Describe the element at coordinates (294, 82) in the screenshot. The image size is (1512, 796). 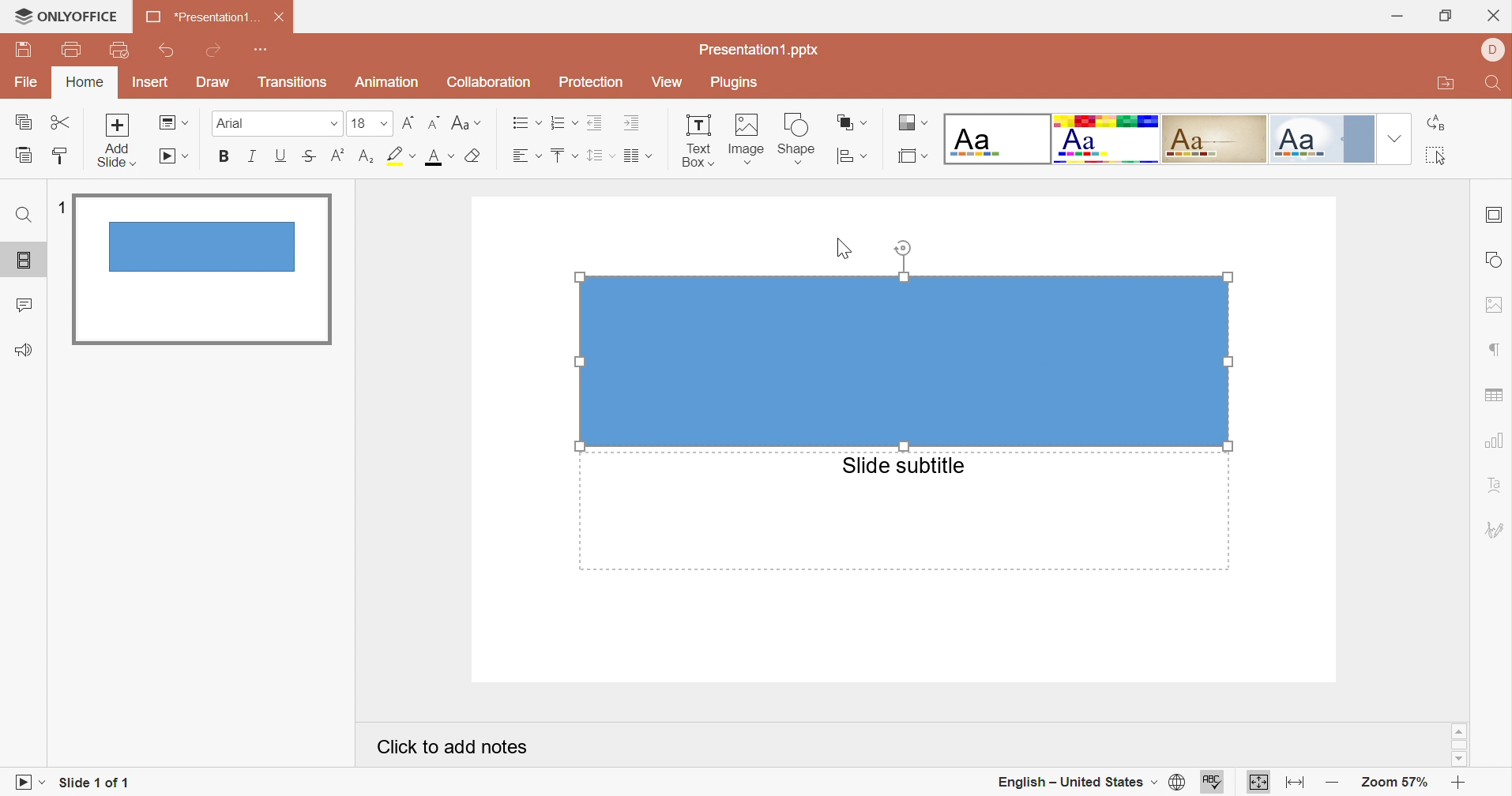
I see `Transitions` at that location.